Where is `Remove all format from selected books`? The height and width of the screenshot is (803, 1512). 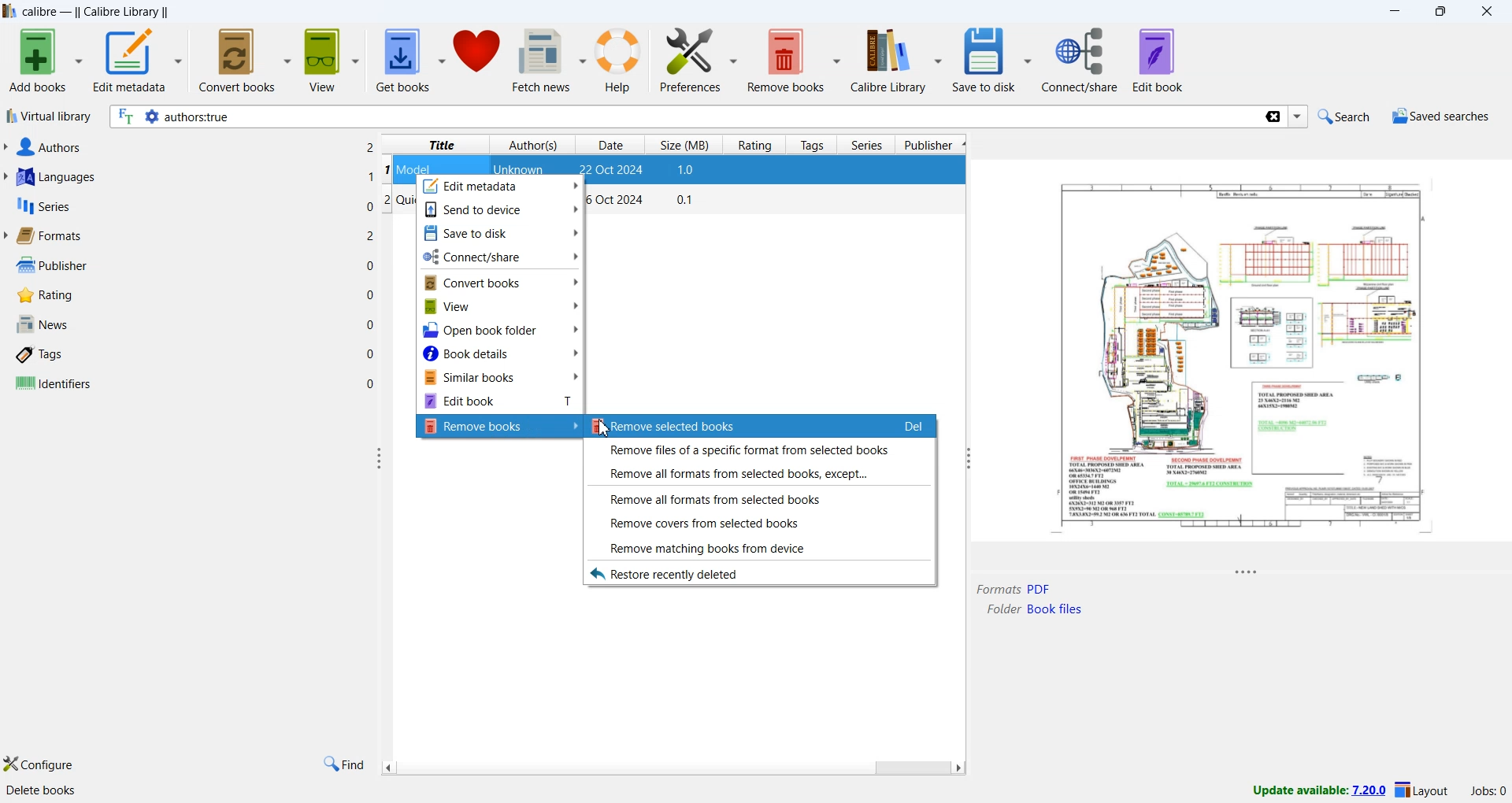
Remove all format from selected books is located at coordinates (759, 498).